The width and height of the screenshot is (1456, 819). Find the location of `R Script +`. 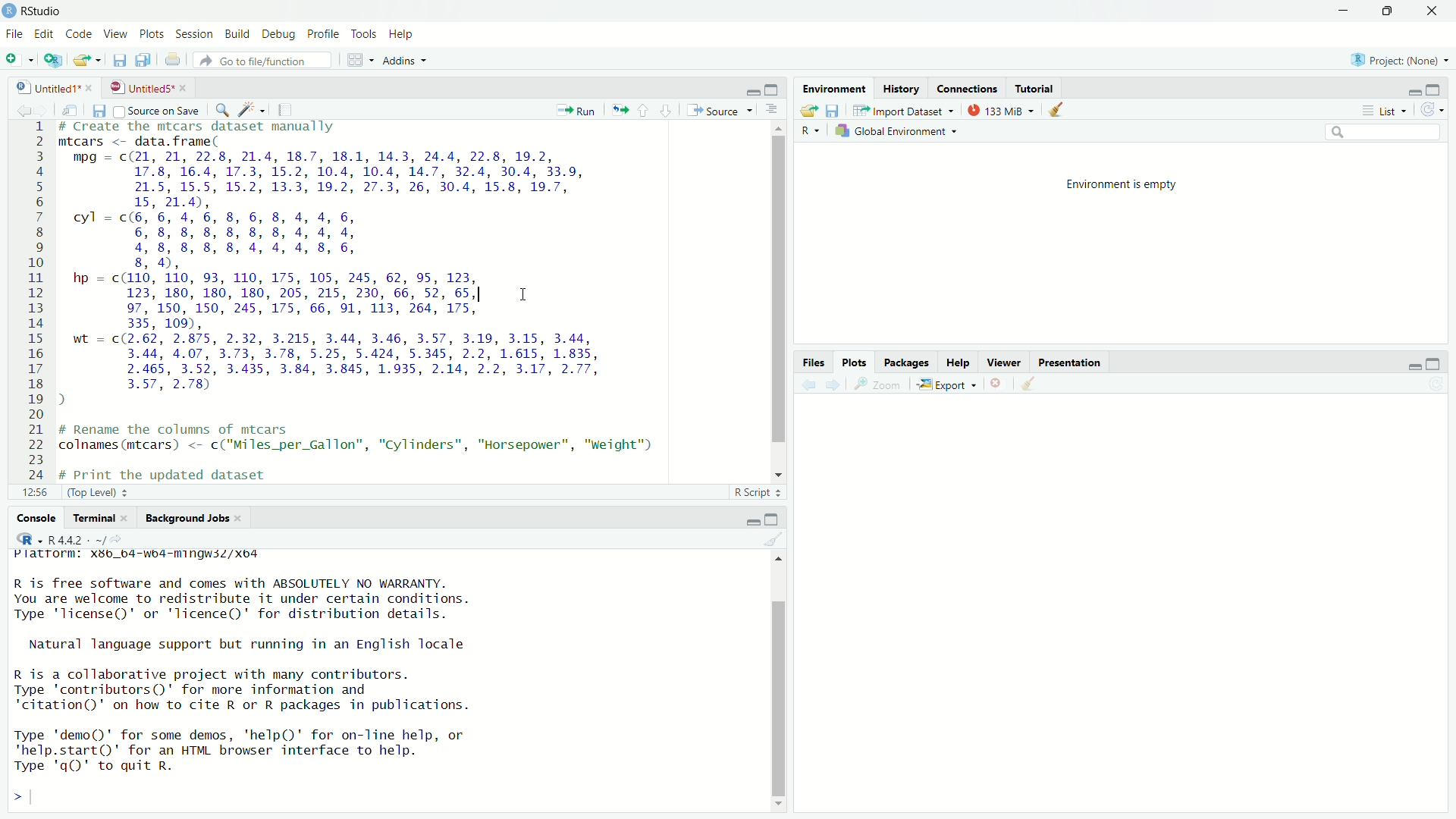

R Script + is located at coordinates (754, 494).